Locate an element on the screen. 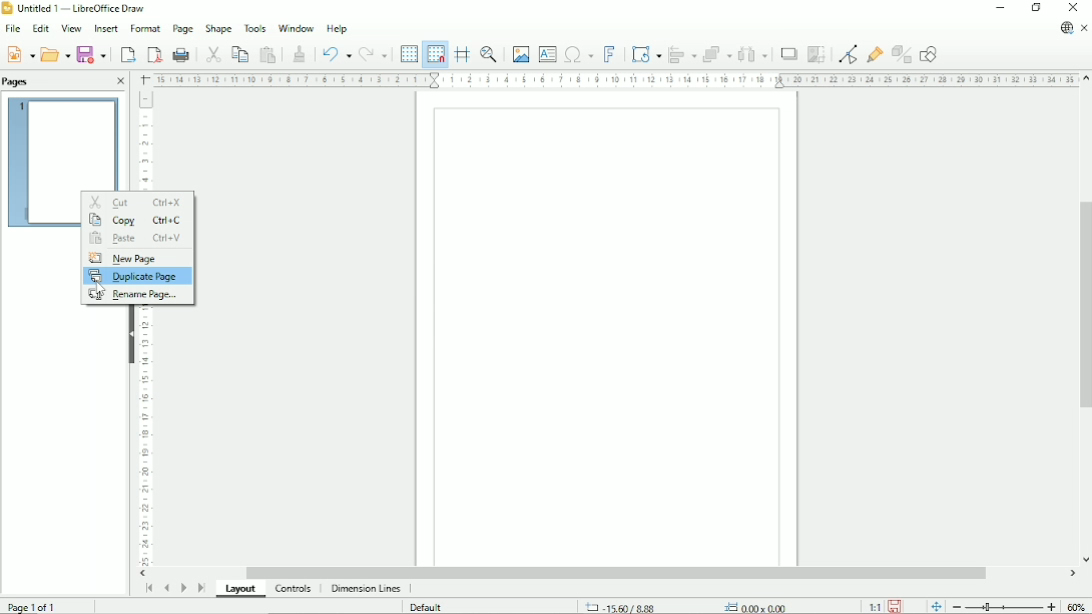 The height and width of the screenshot is (614, 1092). Arrange is located at coordinates (717, 54).